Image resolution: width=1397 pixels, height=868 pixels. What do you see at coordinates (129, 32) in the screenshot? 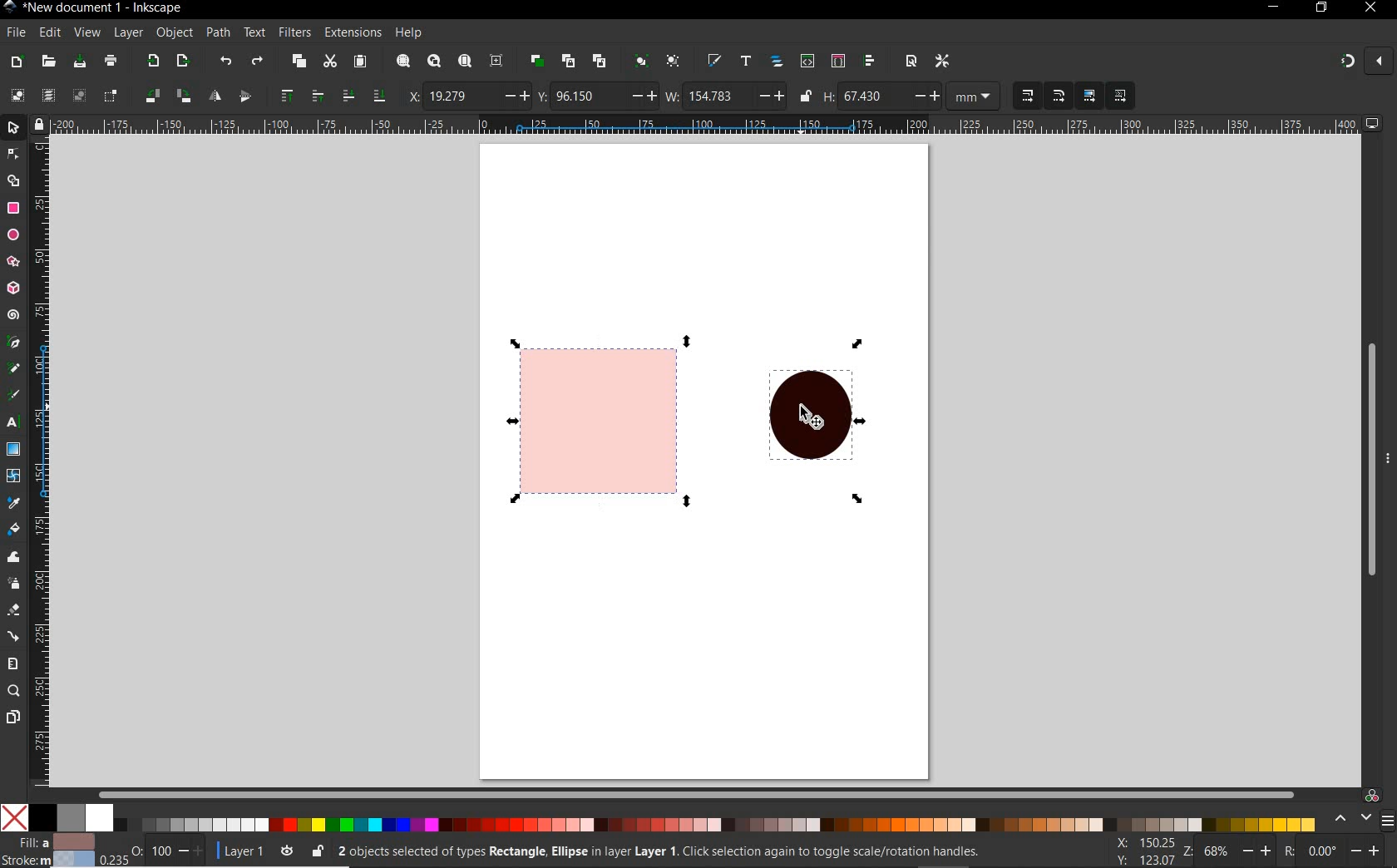
I see `layer` at bounding box center [129, 32].